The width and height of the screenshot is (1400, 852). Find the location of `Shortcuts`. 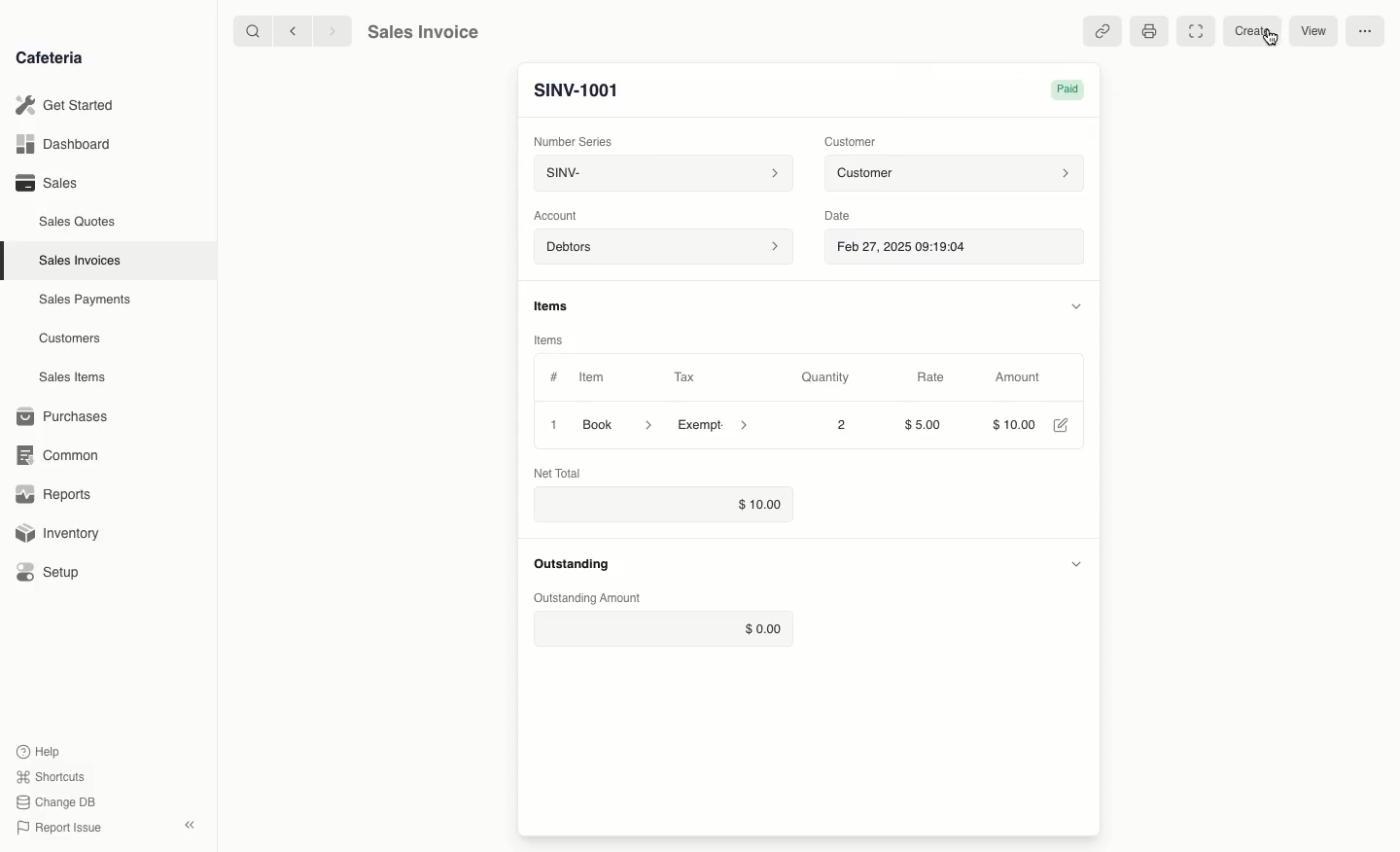

Shortcuts is located at coordinates (52, 775).